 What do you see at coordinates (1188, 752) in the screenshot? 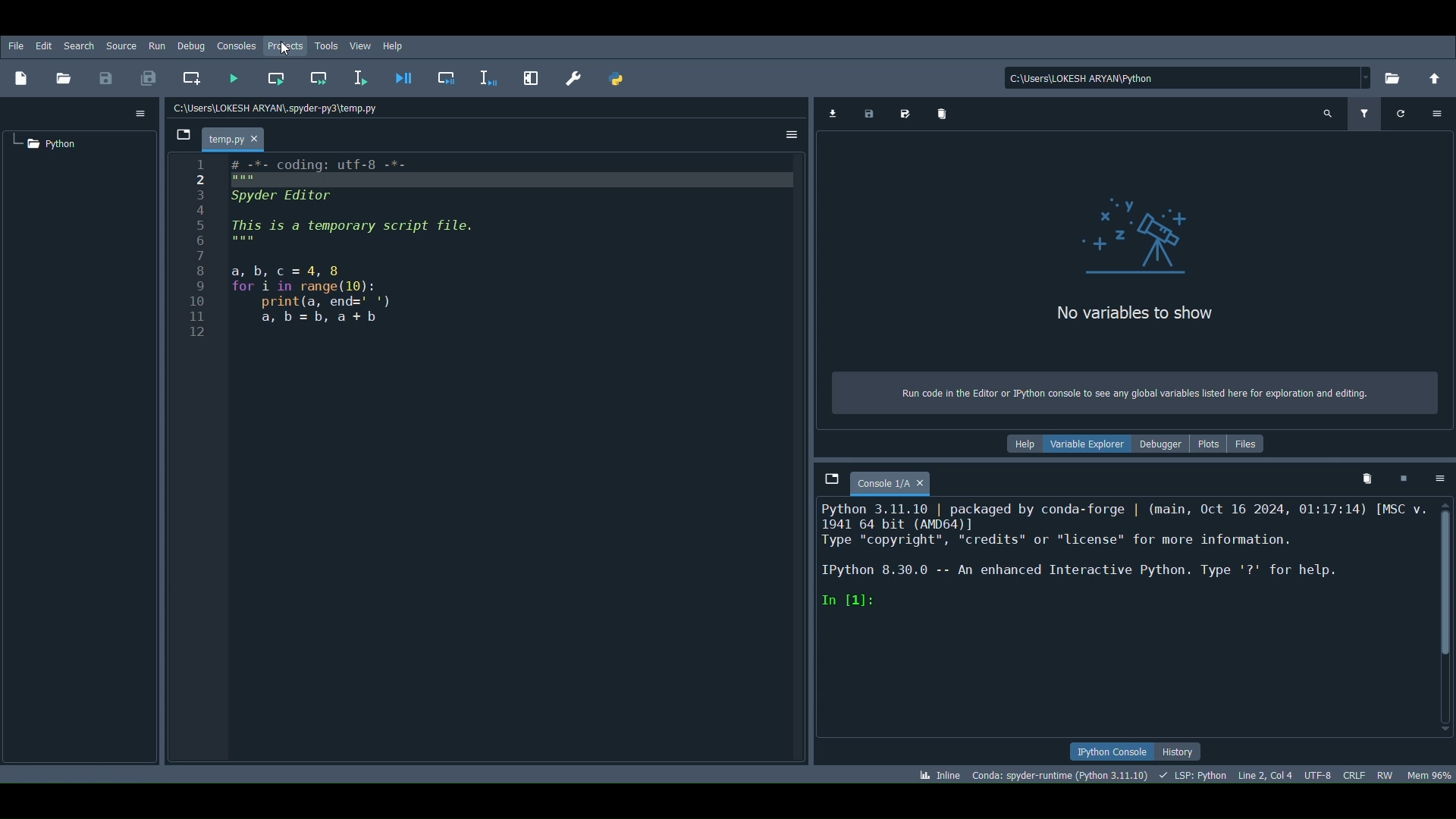
I see `History` at bounding box center [1188, 752].